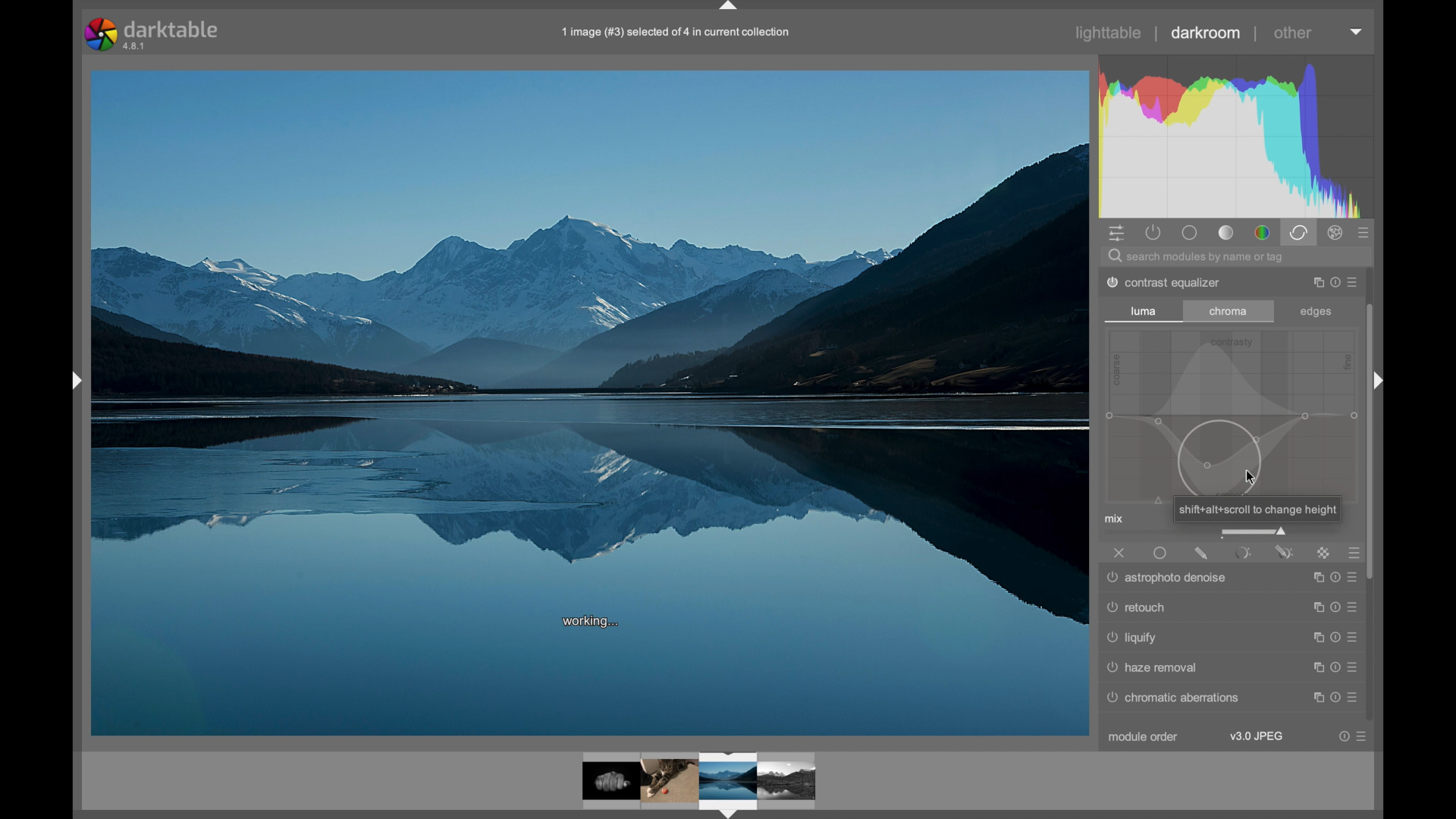 The width and height of the screenshot is (1456, 819). Describe the element at coordinates (1357, 553) in the screenshot. I see `presets` at that location.